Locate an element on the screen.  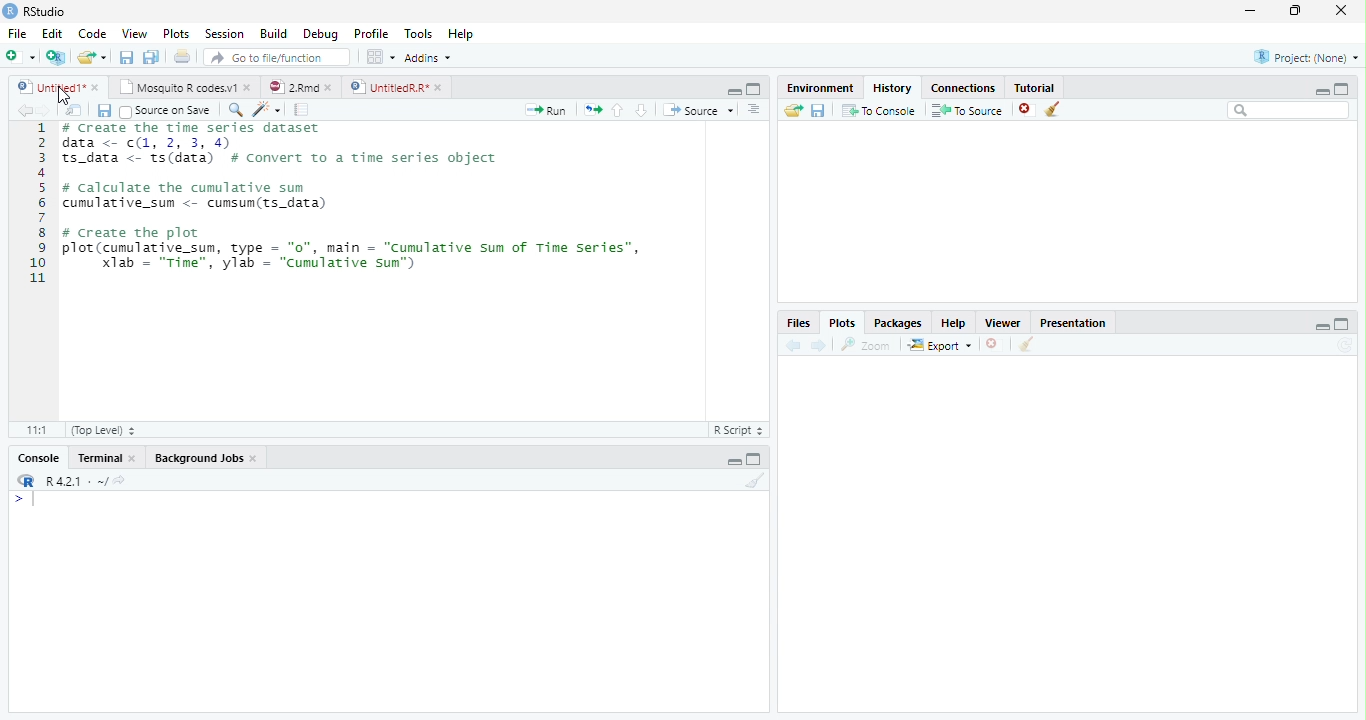
Close is located at coordinates (1336, 12).